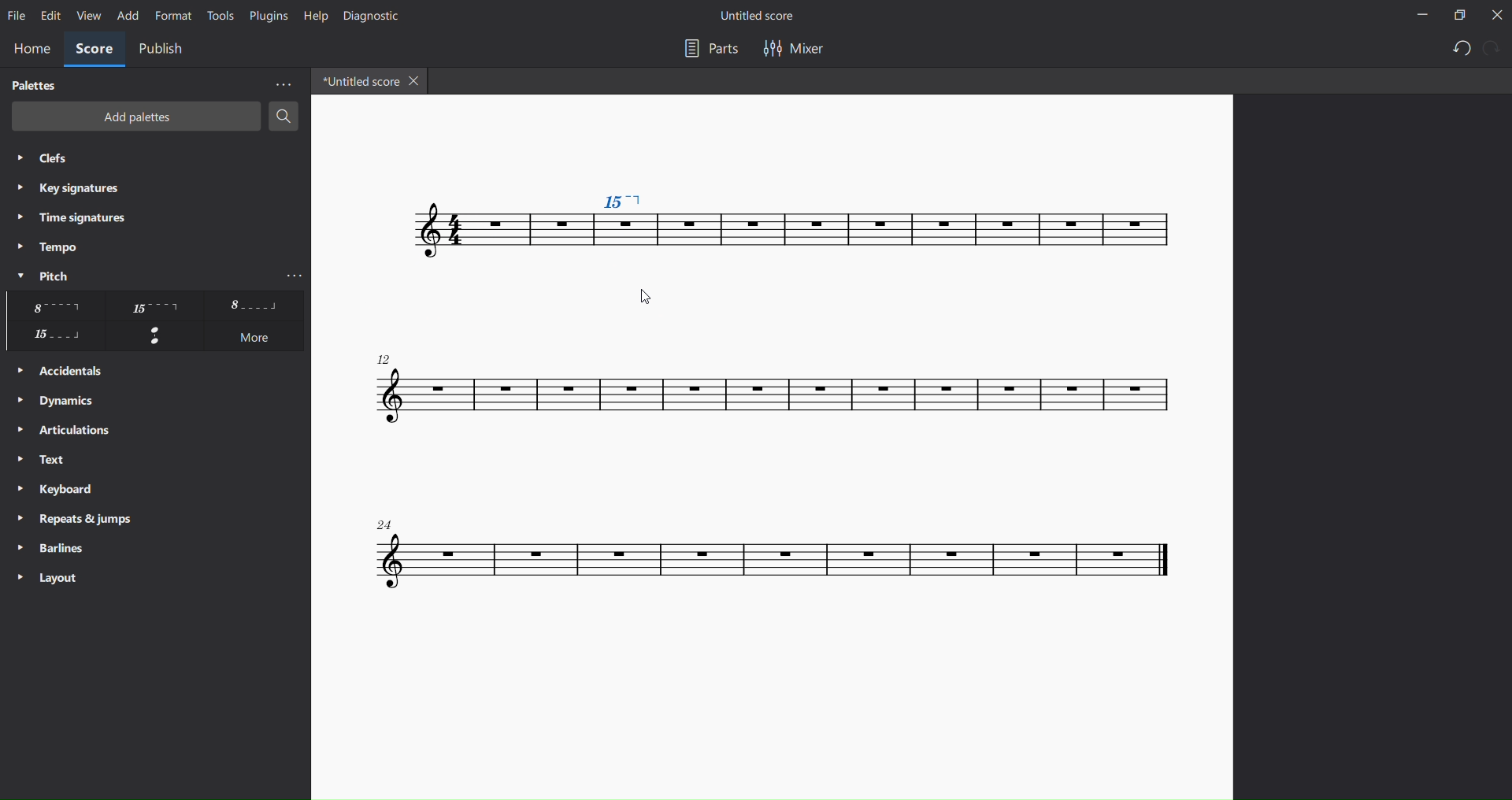 The width and height of the screenshot is (1512, 800). What do you see at coordinates (773, 554) in the screenshot?
I see `score` at bounding box center [773, 554].